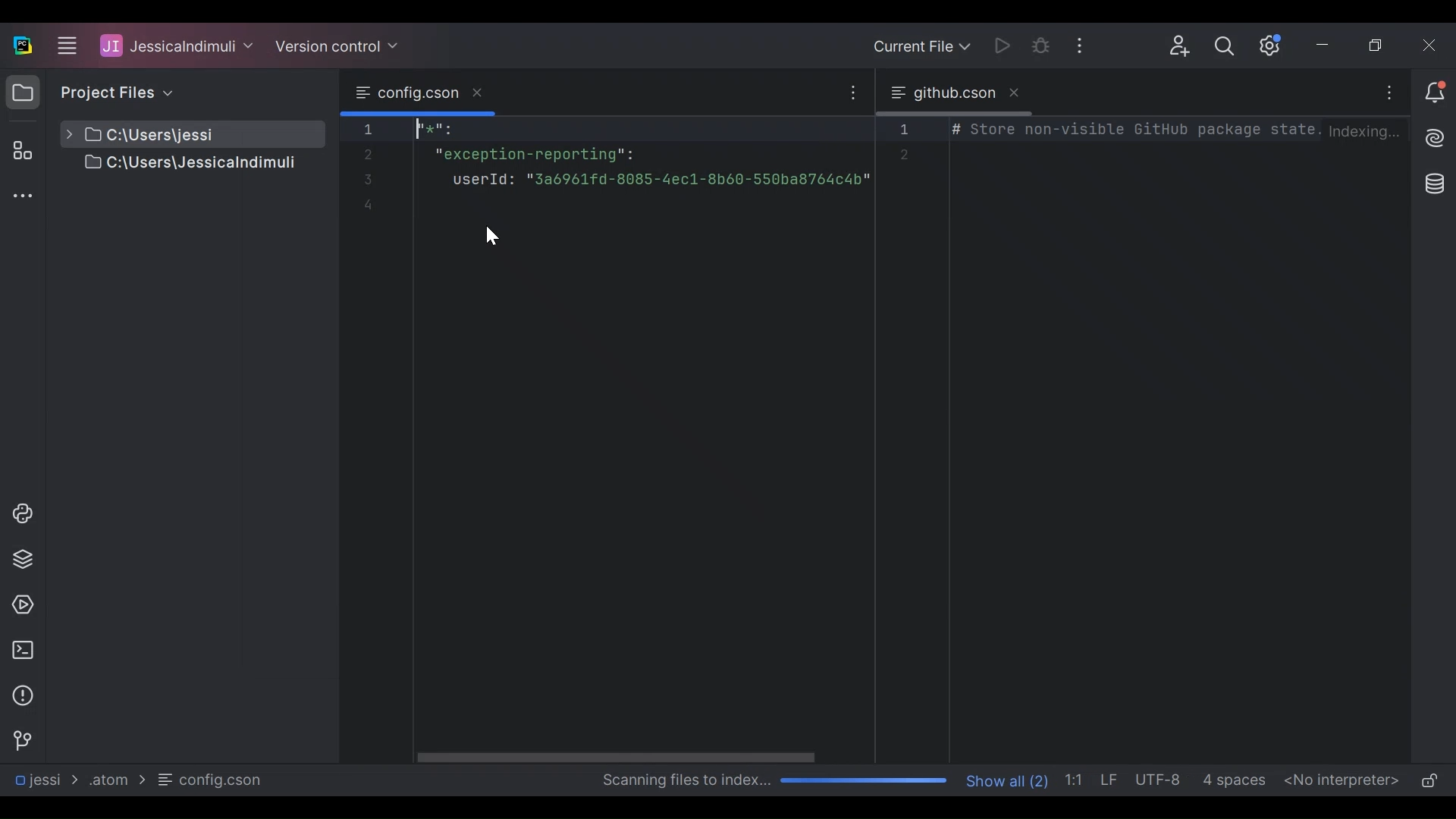 The width and height of the screenshot is (1456, 819). I want to click on Editor, so click(1101, 436).